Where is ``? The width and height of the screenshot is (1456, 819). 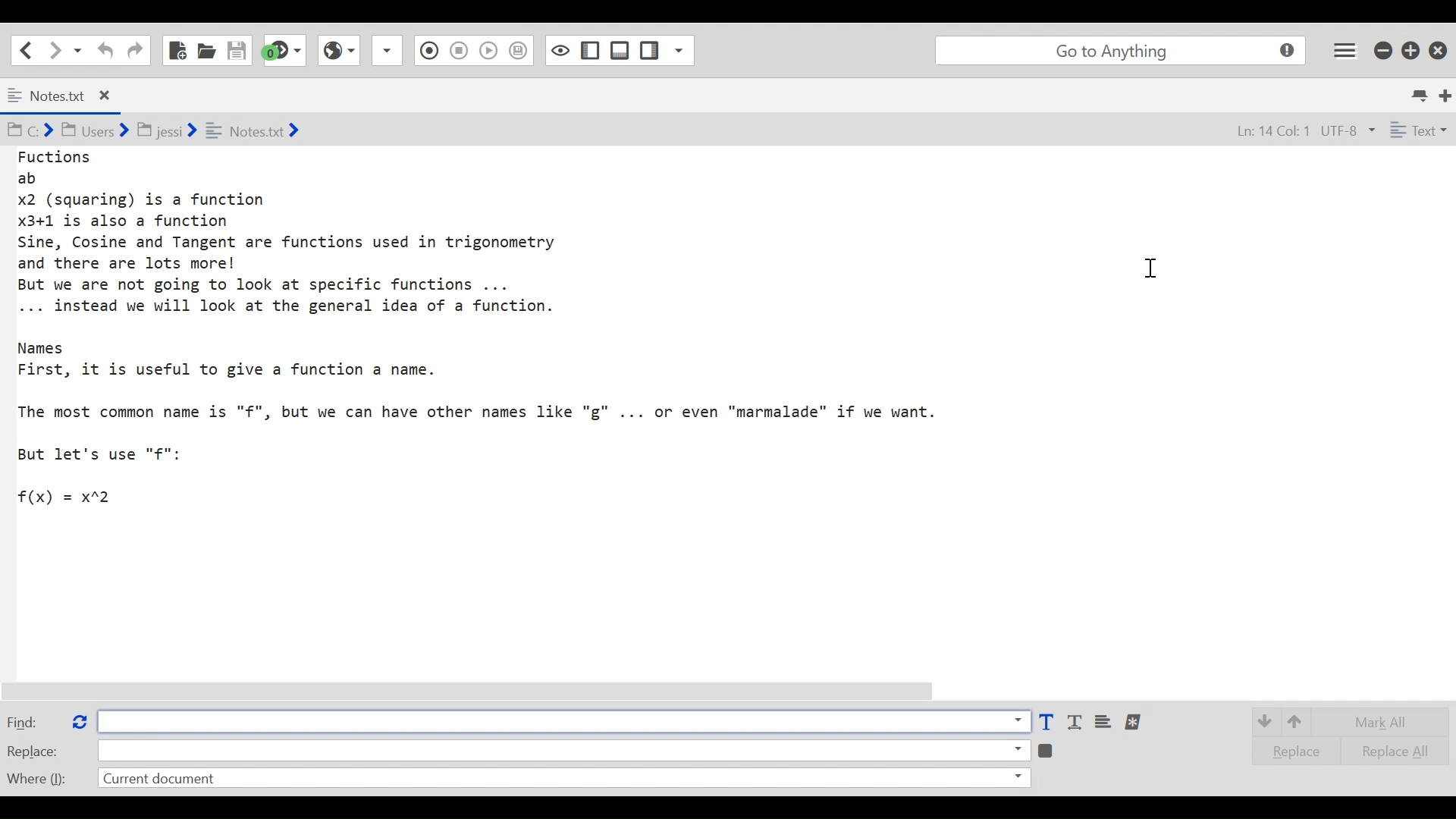  is located at coordinates (135, 51).